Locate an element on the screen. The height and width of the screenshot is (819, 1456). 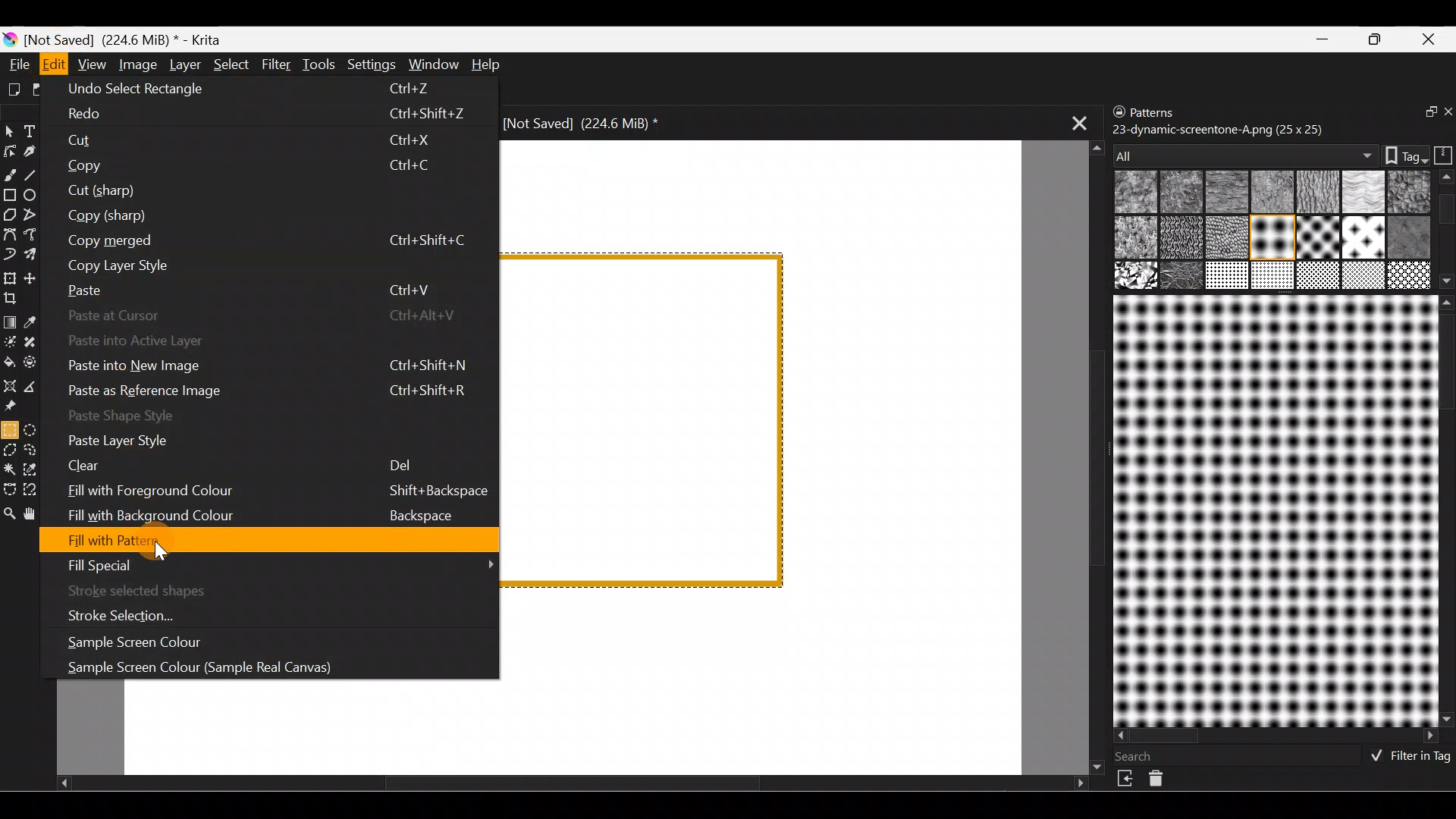
[Not Saved] (214.5 MiB) * - Krita is located at coordinates (129, 40).